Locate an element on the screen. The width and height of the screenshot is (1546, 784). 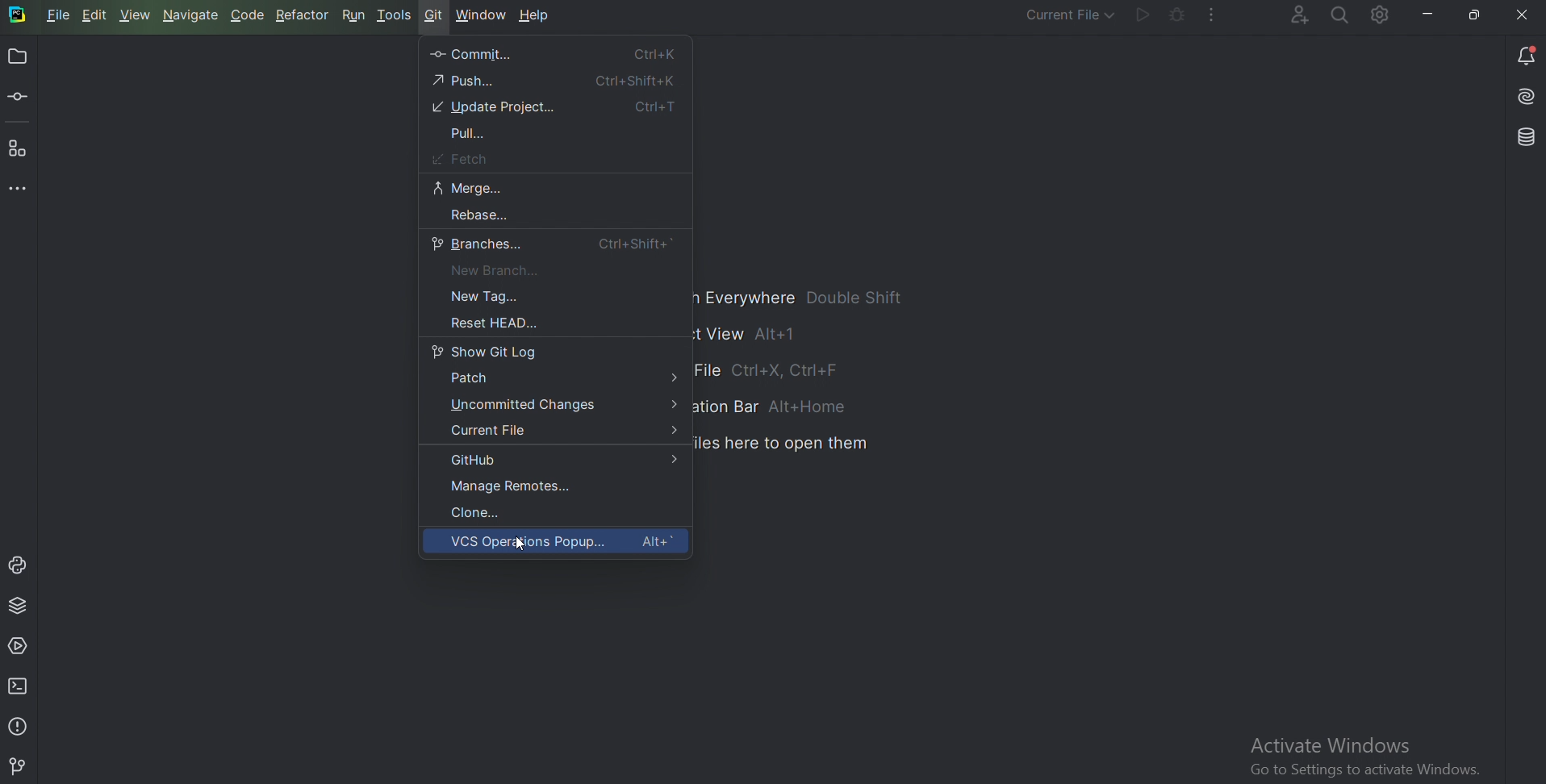
Cursor is located at coordinates (517, 544).